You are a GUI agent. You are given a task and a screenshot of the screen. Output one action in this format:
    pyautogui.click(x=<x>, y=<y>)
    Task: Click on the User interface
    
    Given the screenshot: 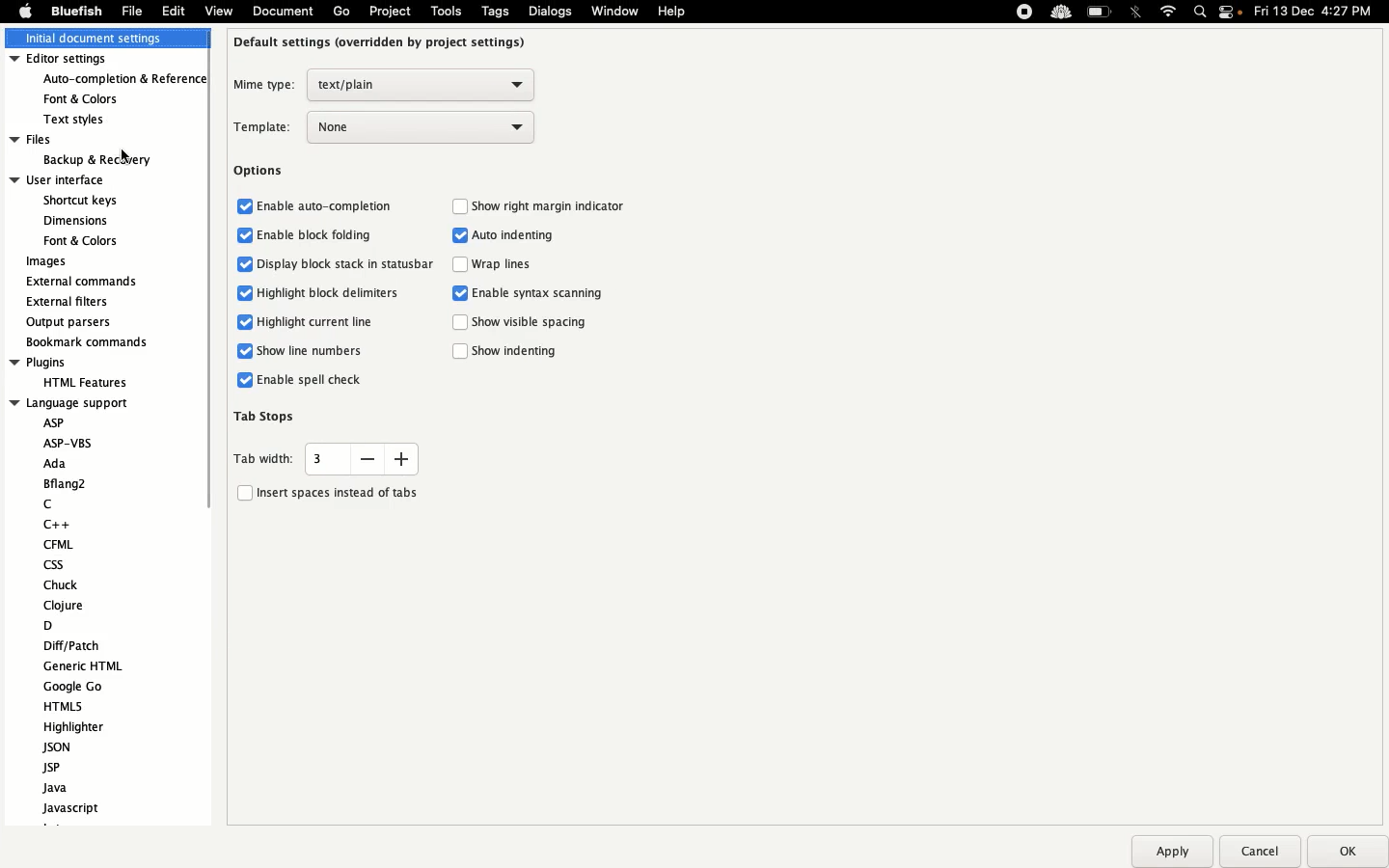 What is the action you would take?
    pyautogui.click(x=80, y=211)
    